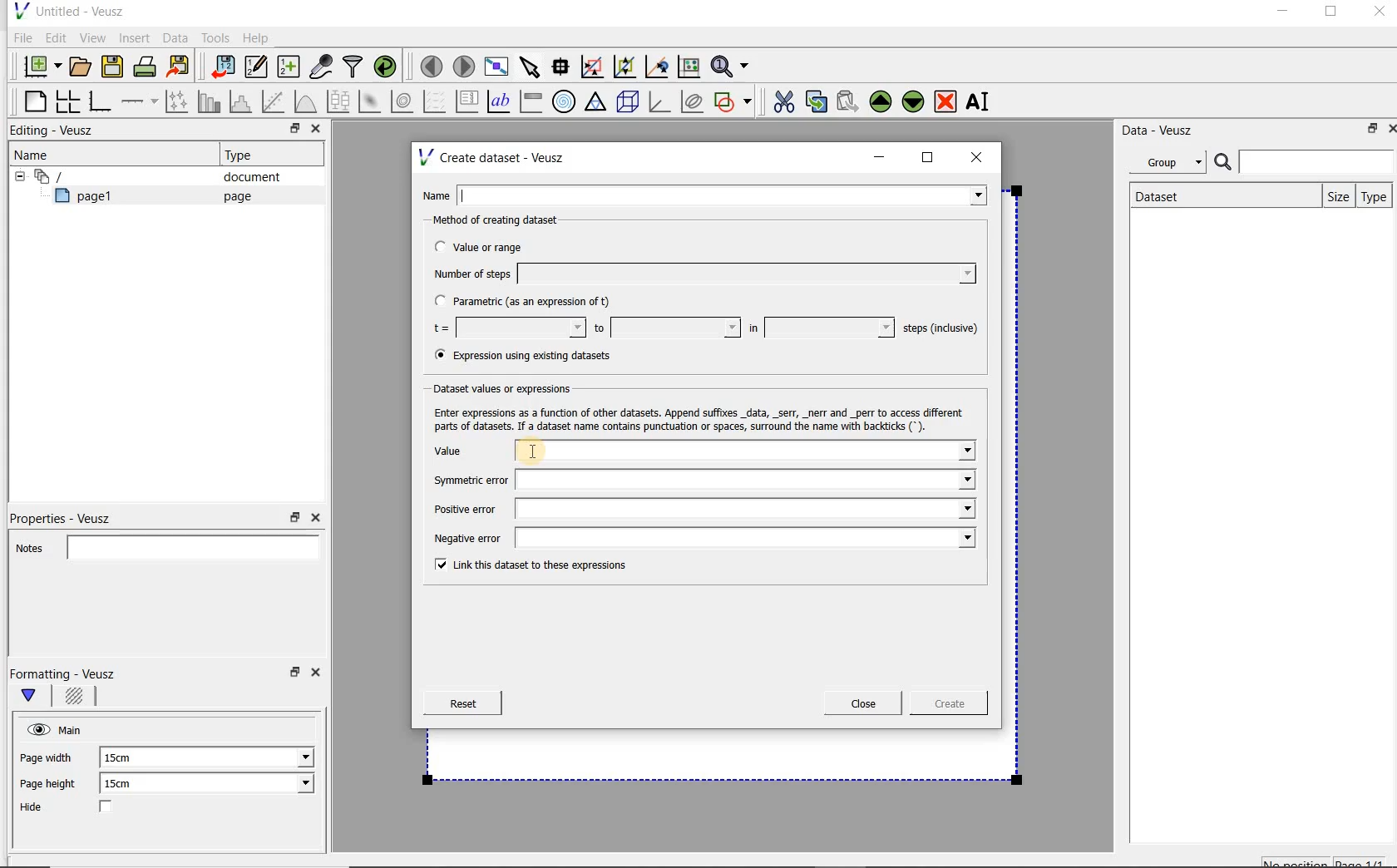  I want to click on maximize, so click(1331, 14).